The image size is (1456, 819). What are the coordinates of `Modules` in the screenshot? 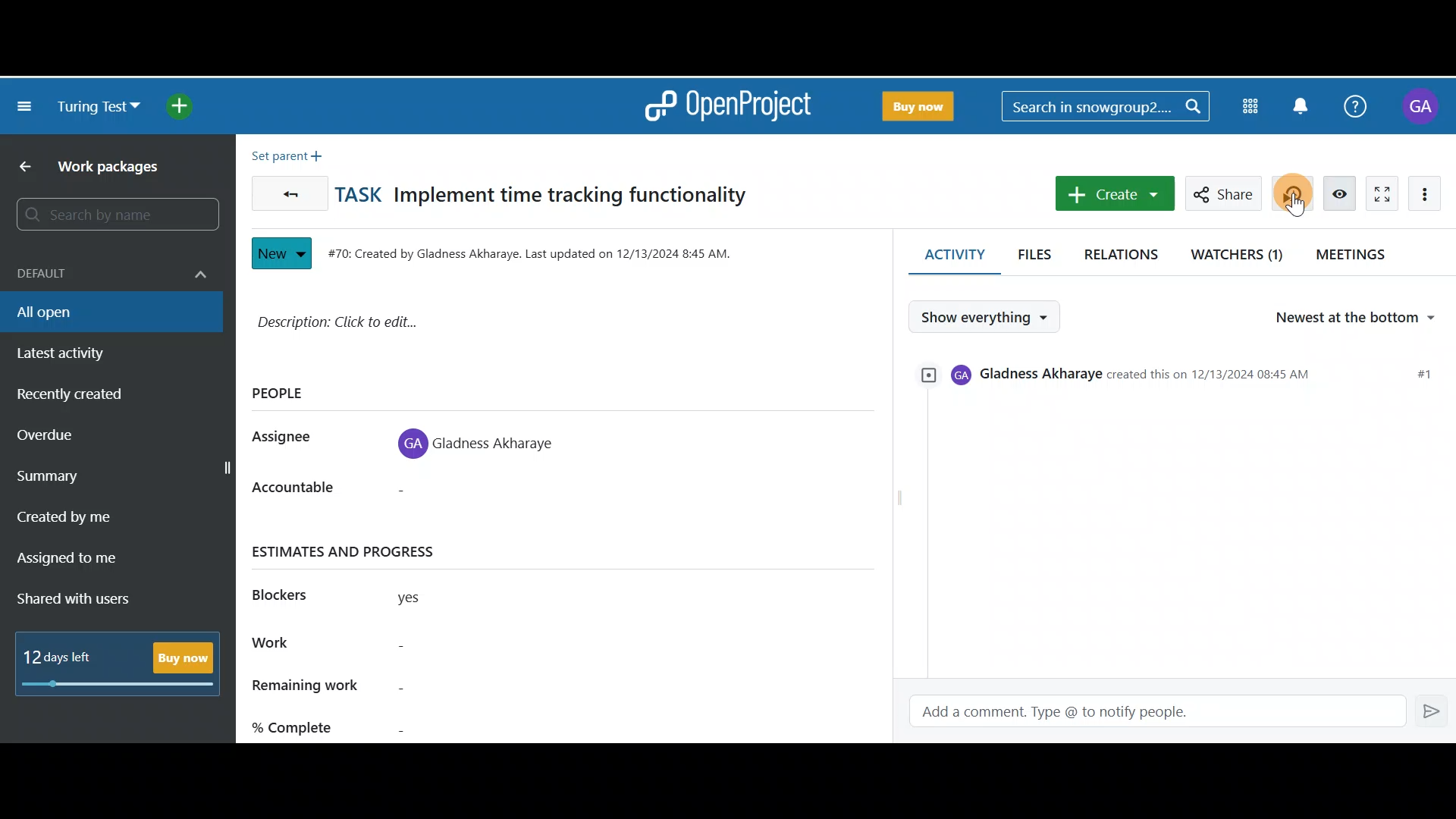 It's located at (1253, 104).